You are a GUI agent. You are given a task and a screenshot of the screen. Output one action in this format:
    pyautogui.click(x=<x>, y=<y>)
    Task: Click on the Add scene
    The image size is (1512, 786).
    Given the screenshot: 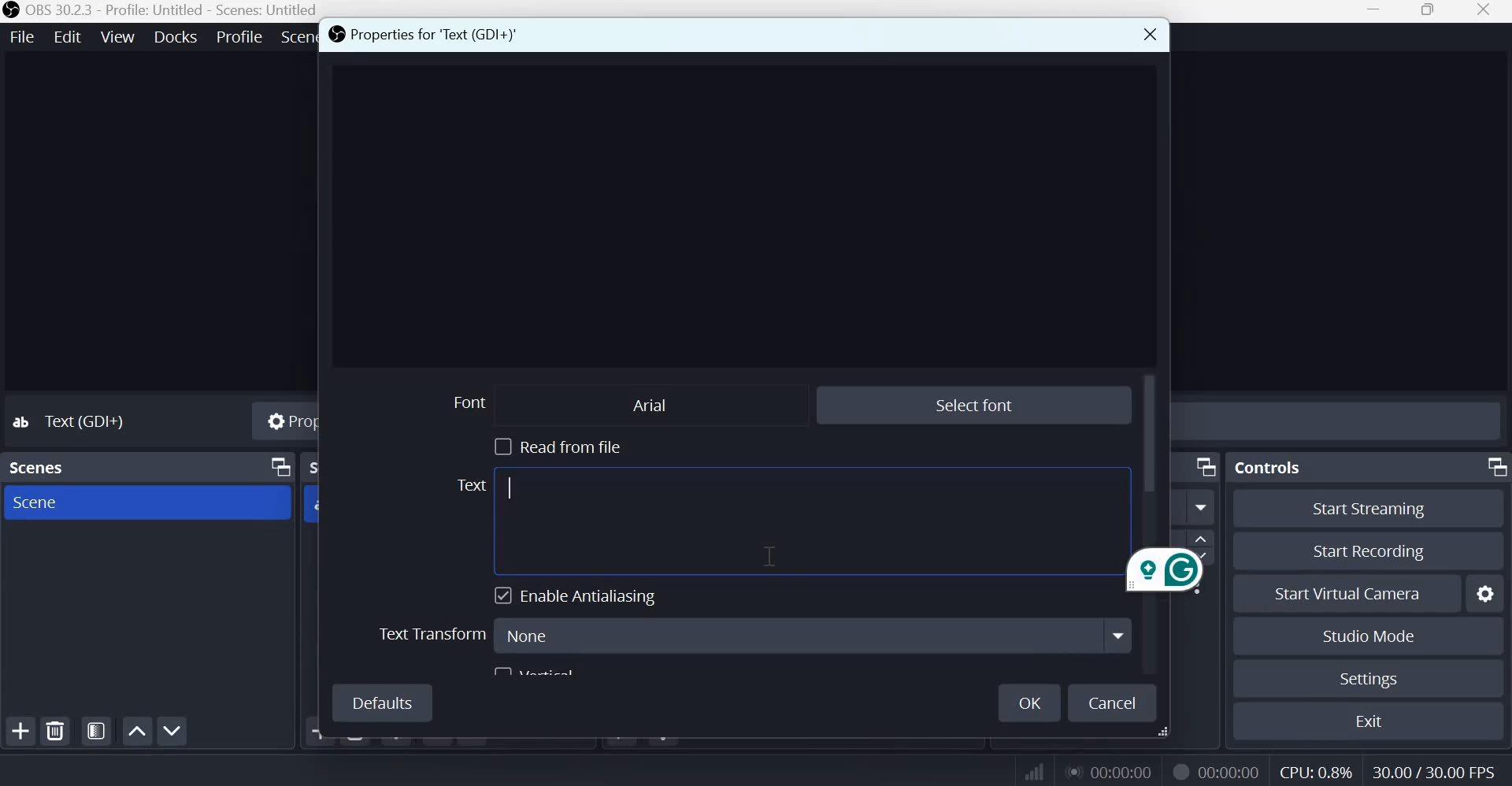 What is the action you would take?
    pyautogui.click(x=21, y=732)
    